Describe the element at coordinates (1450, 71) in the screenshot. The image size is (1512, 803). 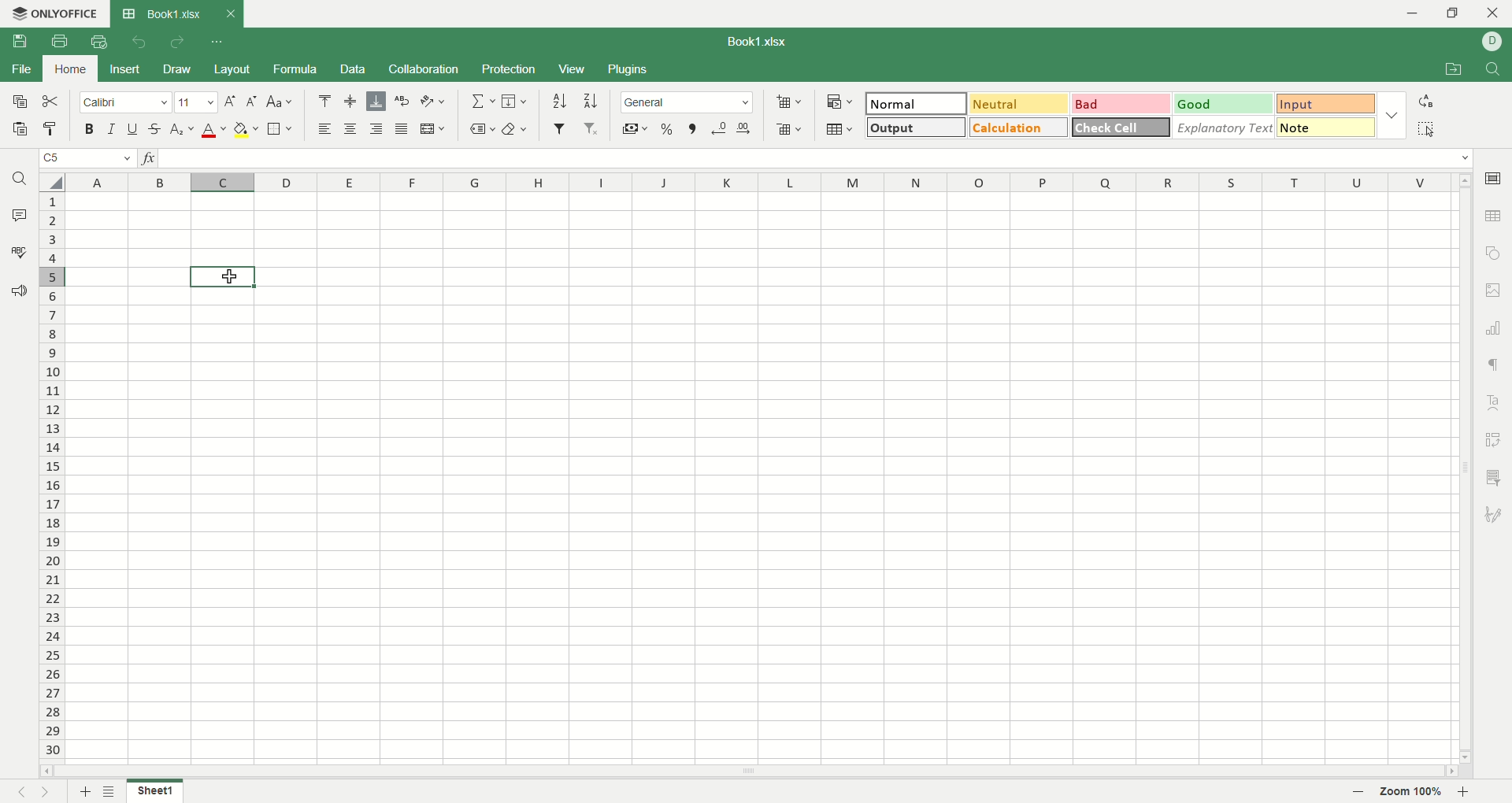
I see `open file location` at that location.